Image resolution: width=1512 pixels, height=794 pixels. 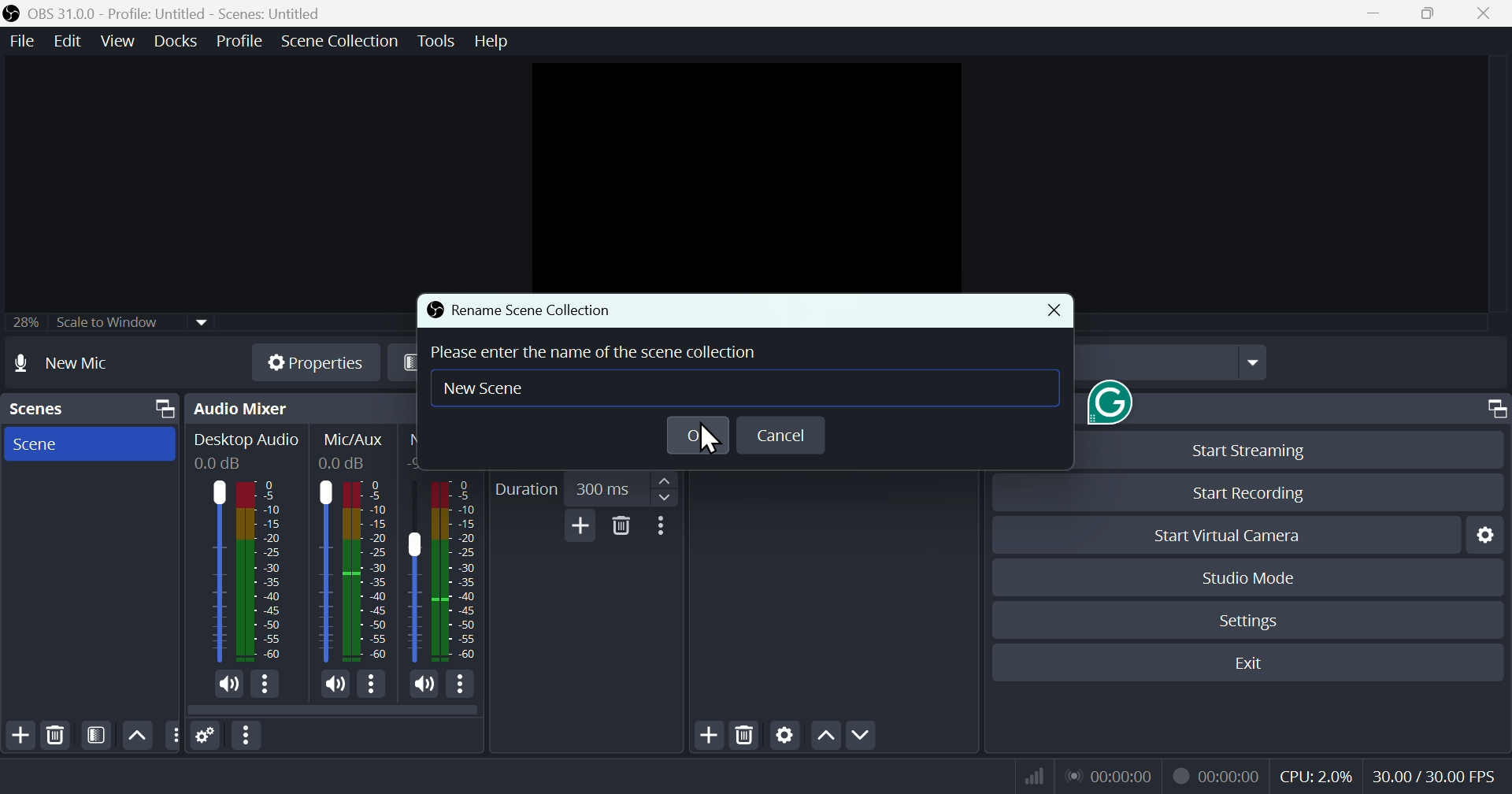 I want to click on Desktop Audio, so click(x=248, y=440).